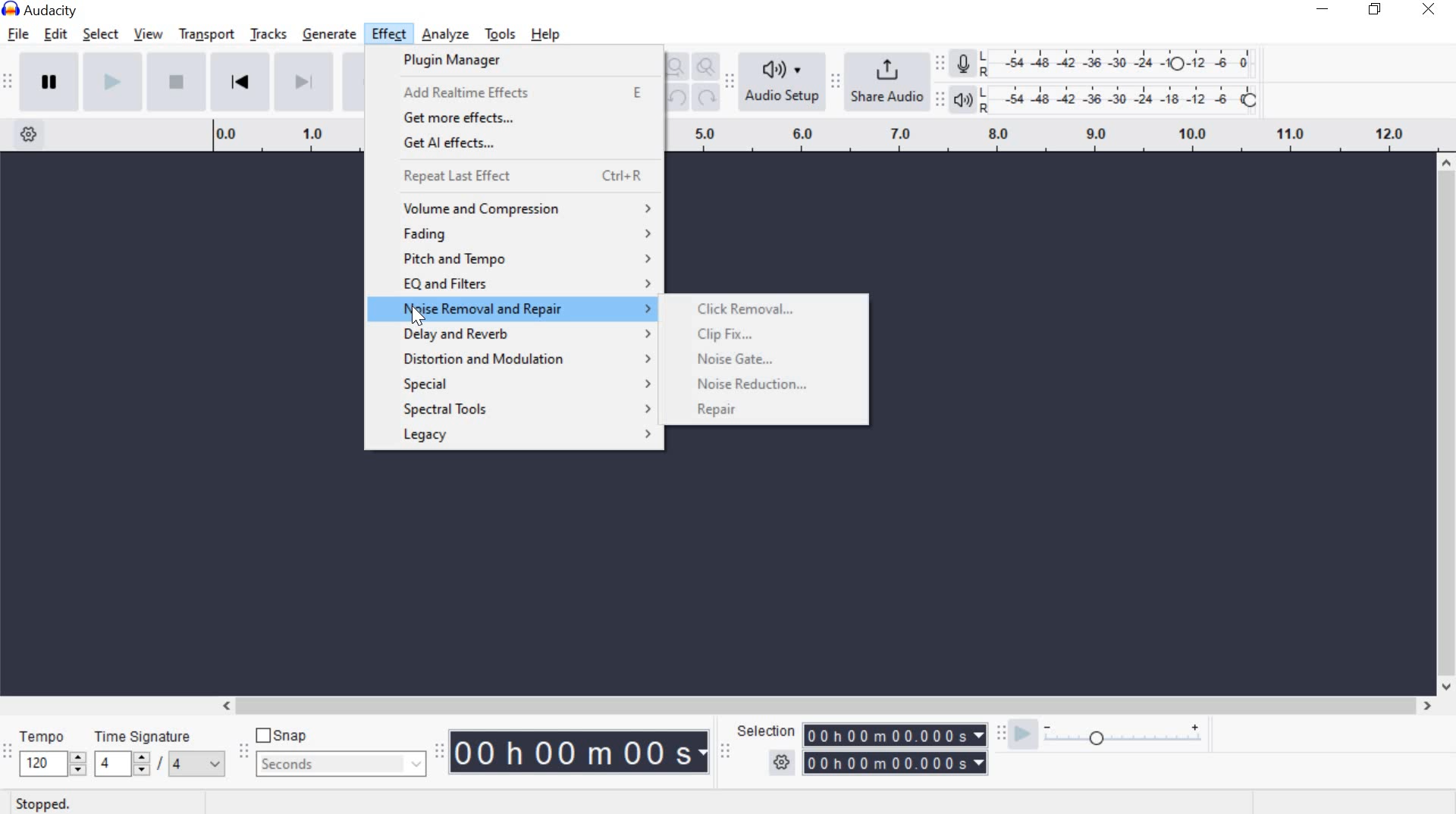 The width and height of the screenshot is (1456, 814). I want to click on Zoom Toggle, so click(704, 67).